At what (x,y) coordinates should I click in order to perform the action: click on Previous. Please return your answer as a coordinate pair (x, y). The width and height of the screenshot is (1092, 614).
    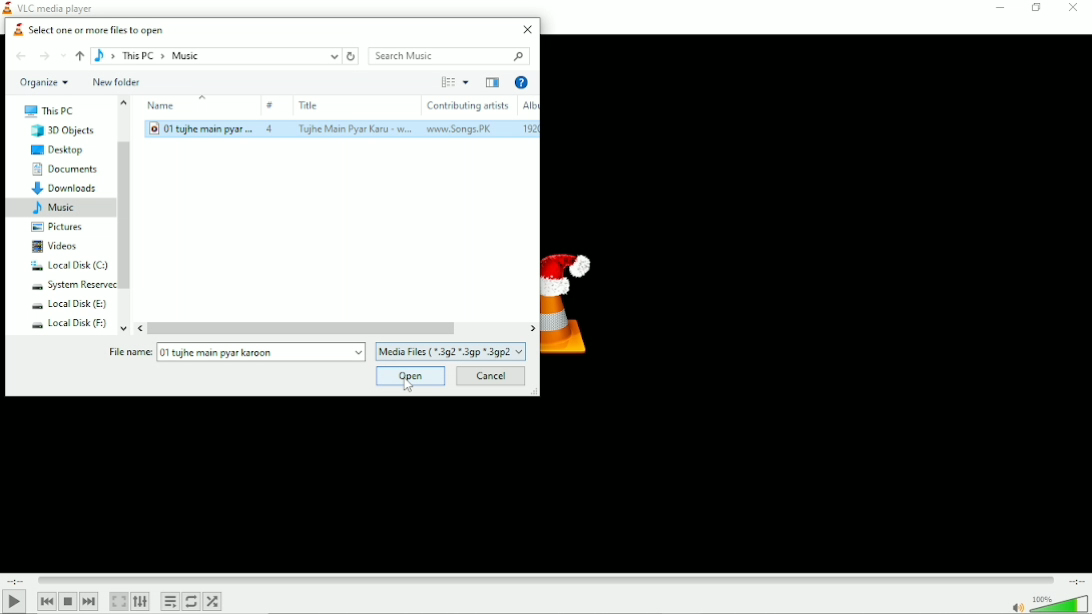
    Looking at the image, I should click on (44, 602).